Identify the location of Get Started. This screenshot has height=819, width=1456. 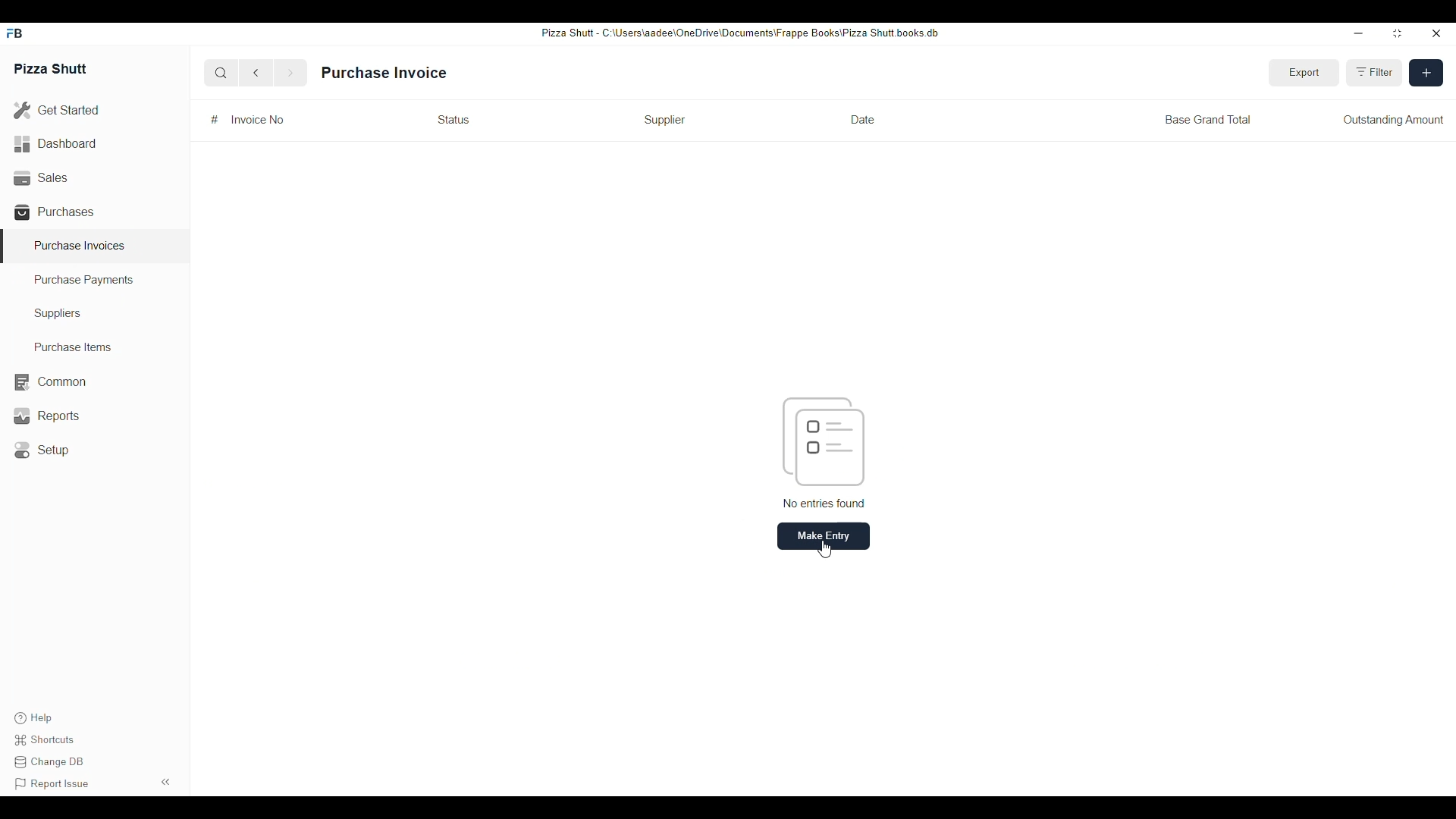
(57, 111).